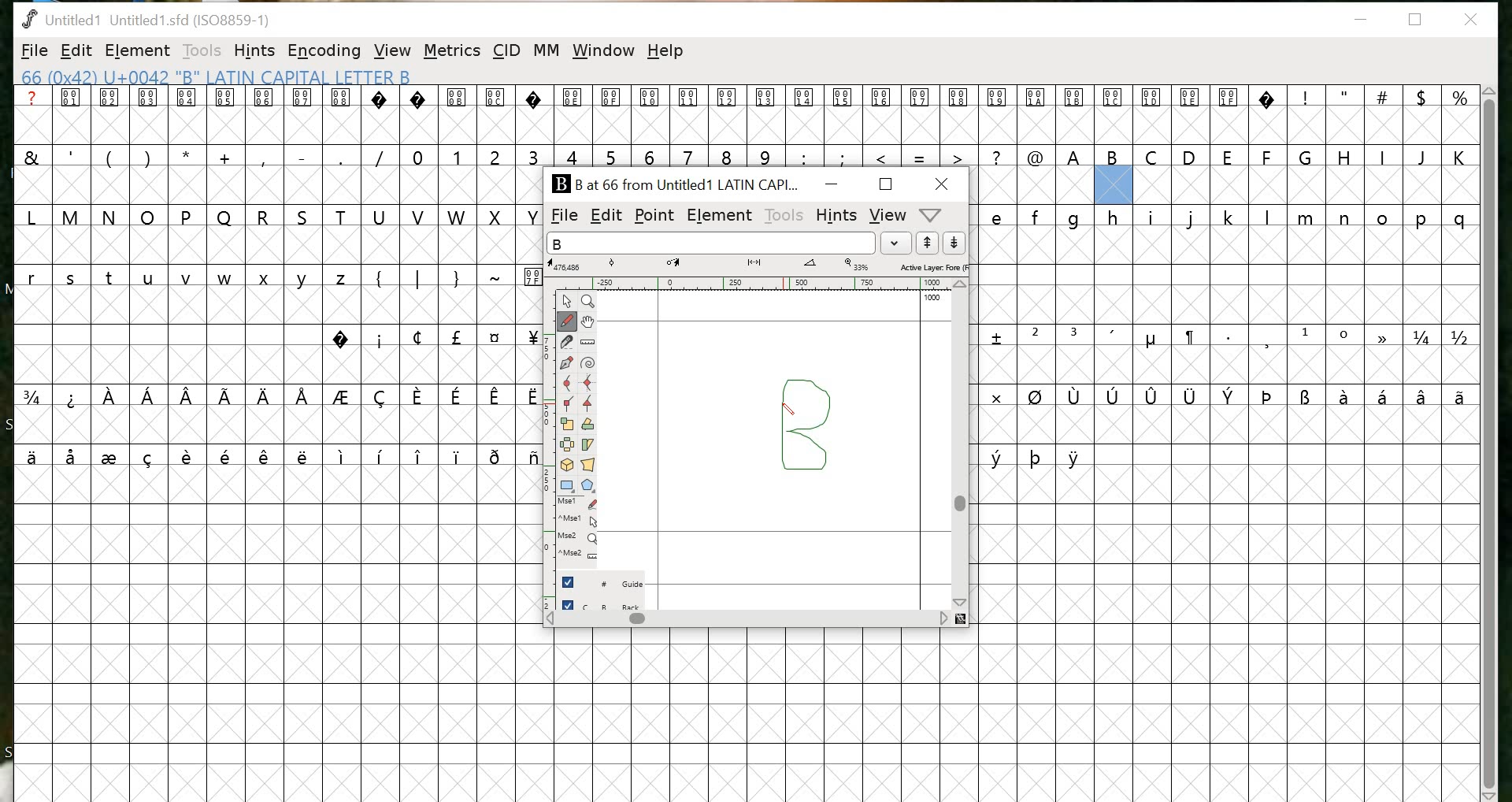 This screenshot has height=802, width=1512. I want to click on MINIMIZE, so click(833, 184).